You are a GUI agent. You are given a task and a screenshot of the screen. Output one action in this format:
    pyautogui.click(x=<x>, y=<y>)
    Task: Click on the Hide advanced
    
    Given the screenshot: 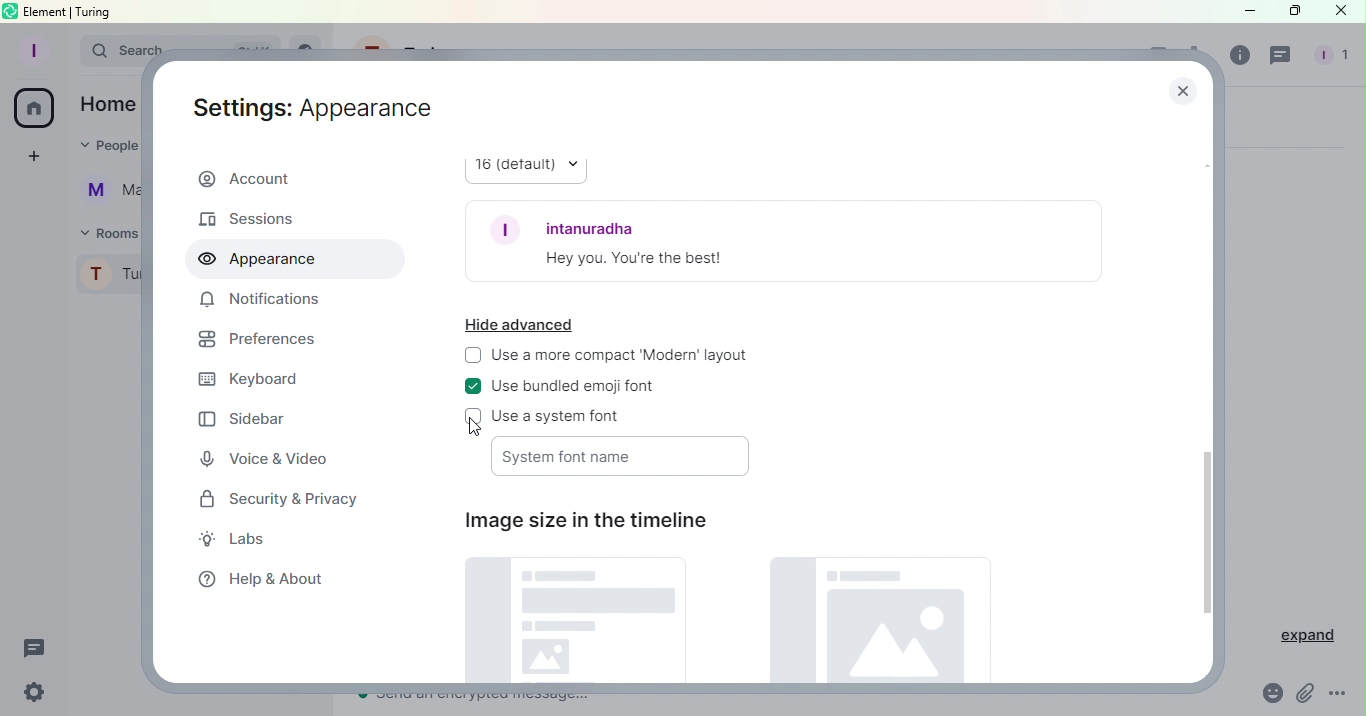 What is the action you would take?
    pyautogui.click(x=522, y=321)
    